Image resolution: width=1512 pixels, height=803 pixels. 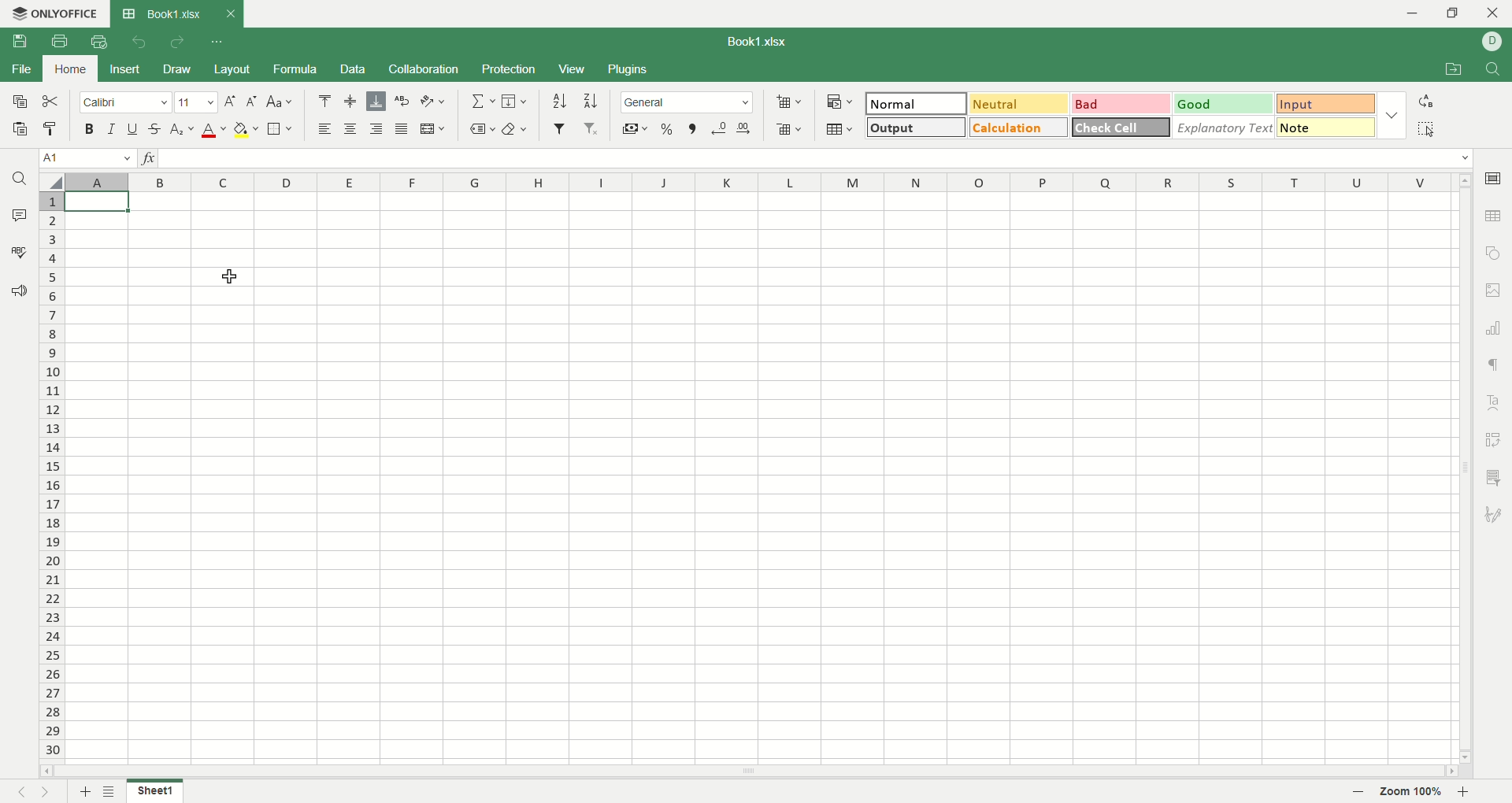 I want to click on sheet1, so click(x=154, y=790).